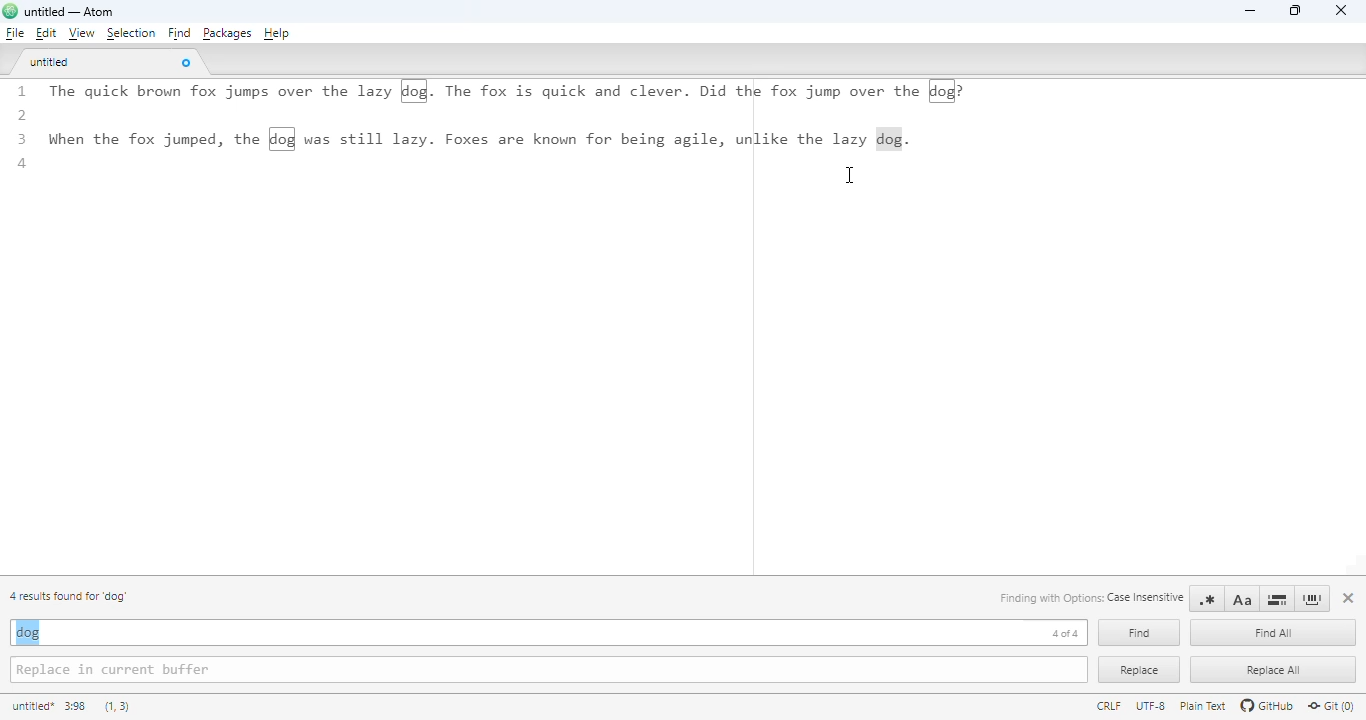 Image resolution: width=1366 pixels, height=720 pixels. Describe the element at coordinates (74, 706) in the screenshot. I see `3:98` at that location.